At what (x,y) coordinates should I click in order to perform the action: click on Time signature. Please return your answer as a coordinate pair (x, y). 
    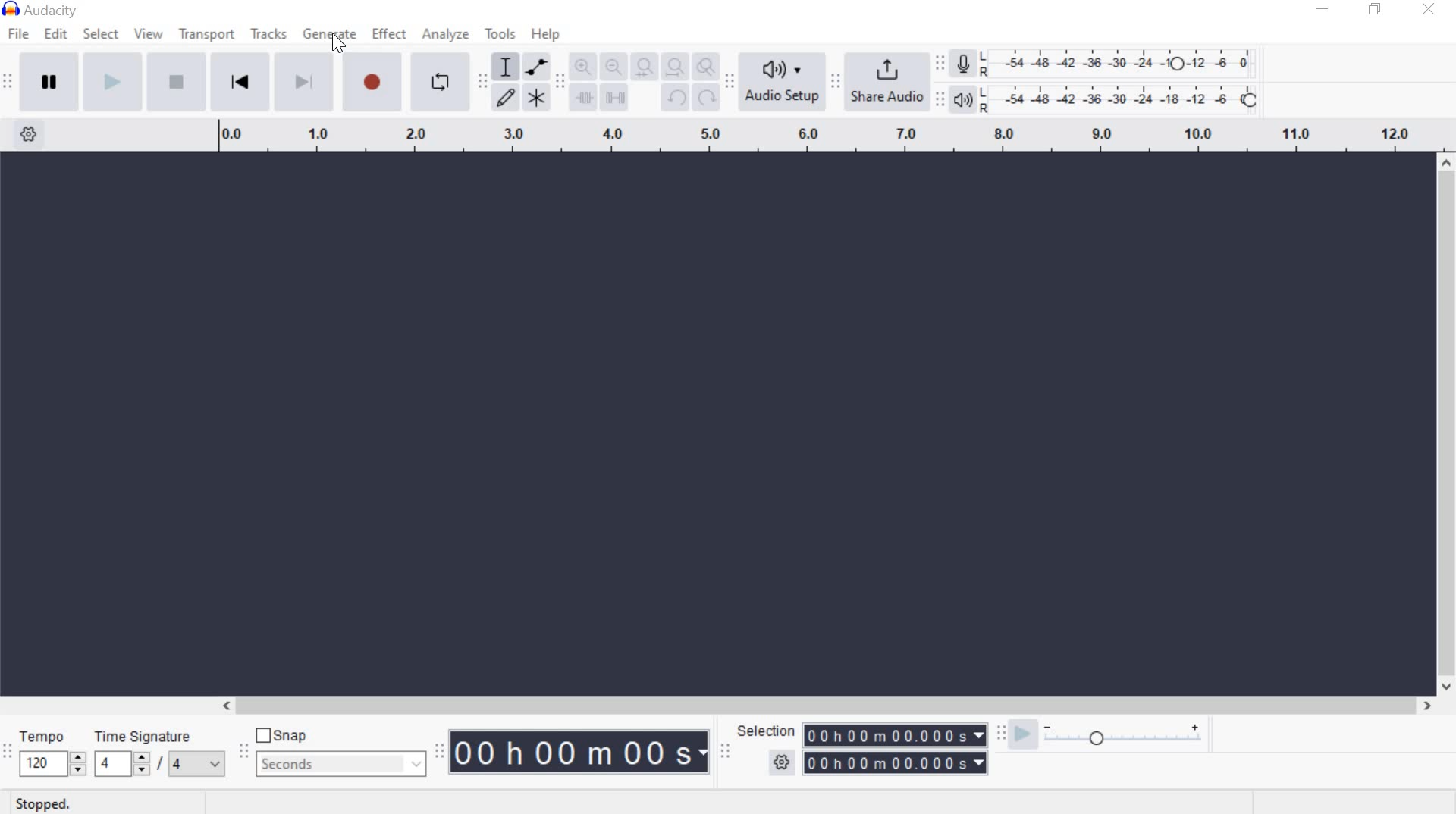
    Looking at the image, I should click on (161, 756).